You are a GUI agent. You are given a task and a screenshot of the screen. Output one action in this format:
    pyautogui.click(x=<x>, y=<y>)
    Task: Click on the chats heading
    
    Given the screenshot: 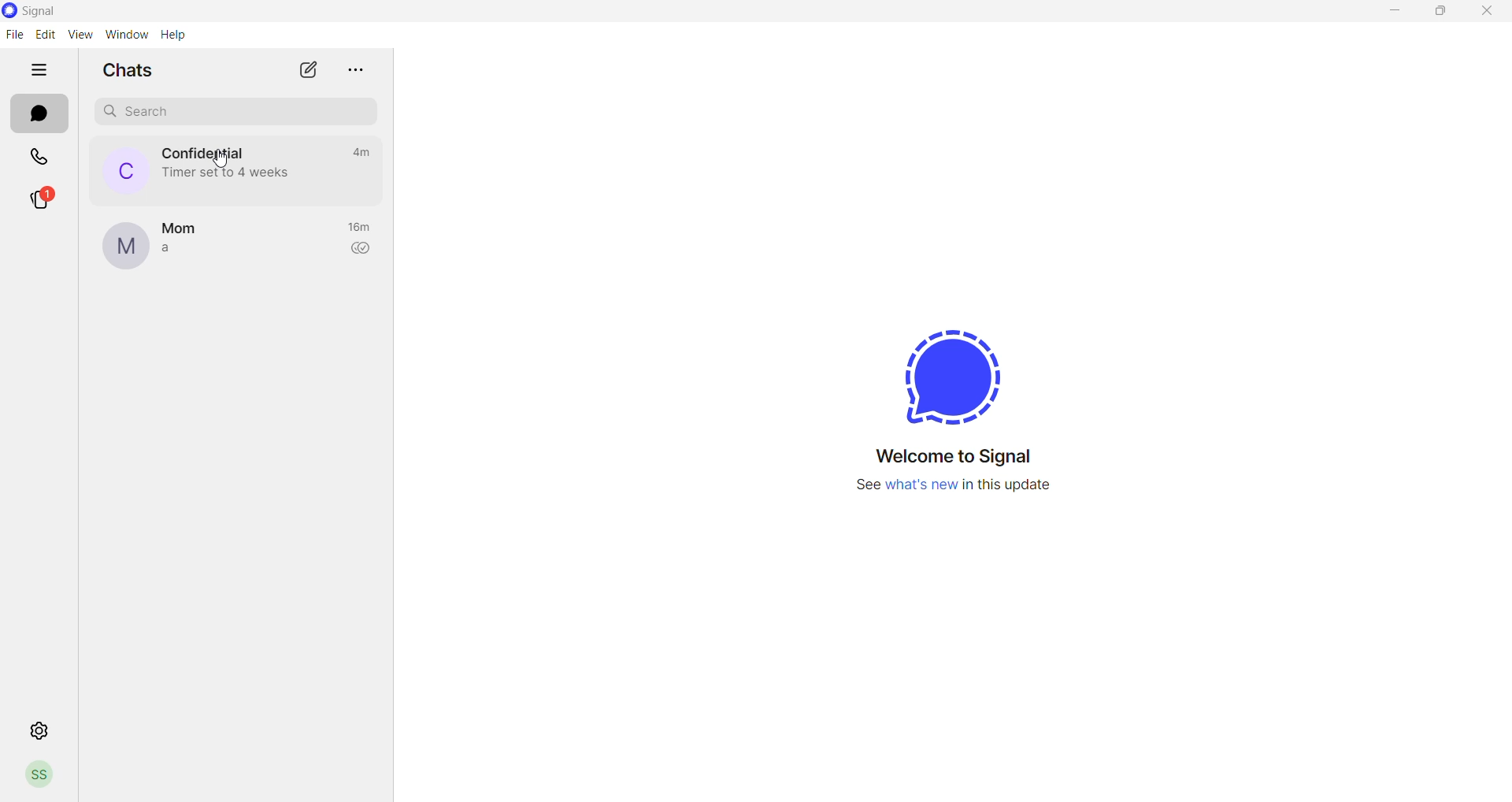 What is the action you would take?
    pyautogui.click(x=121, y=69)
    